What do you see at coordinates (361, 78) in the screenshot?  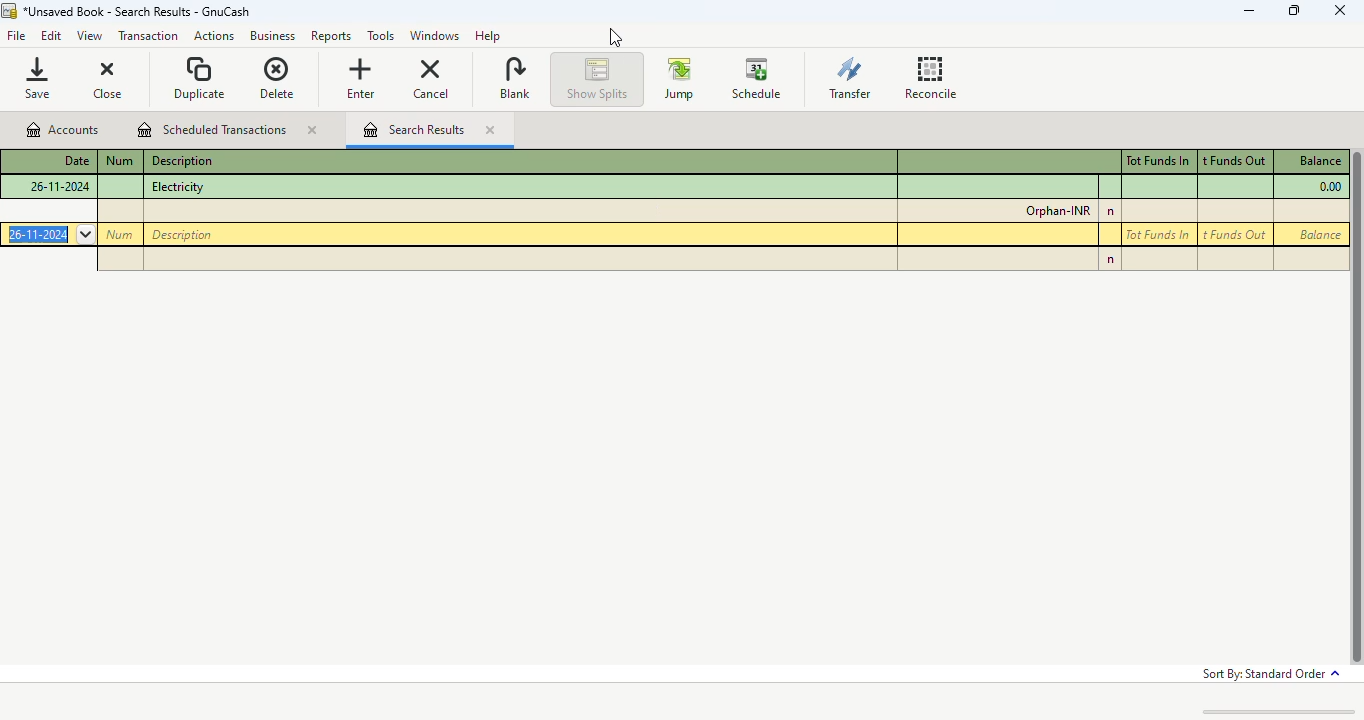 I see `enter` at bounding box center [361, 78].